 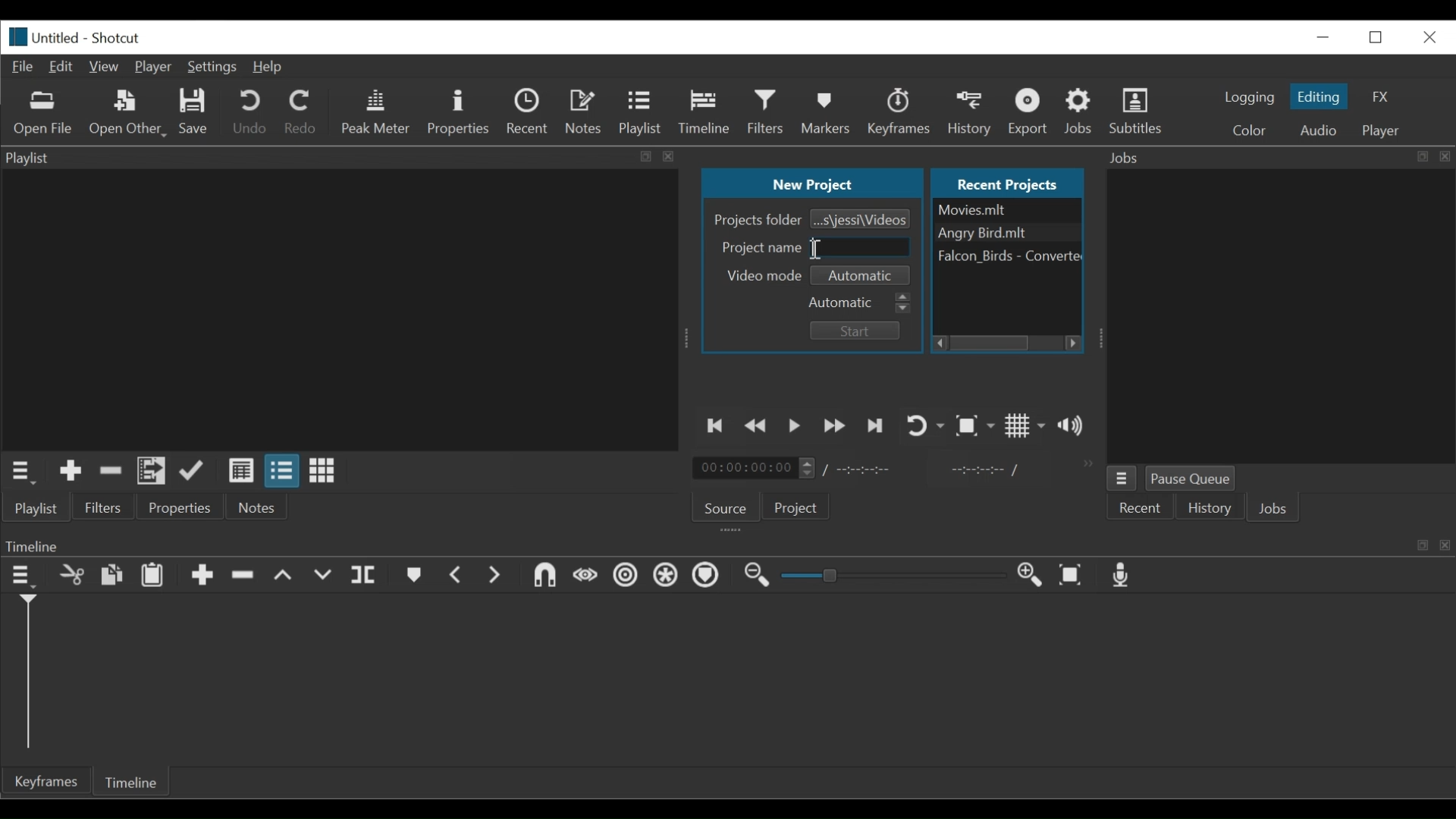 I want to click on Play forward quickly, so click(x=835, y=427).